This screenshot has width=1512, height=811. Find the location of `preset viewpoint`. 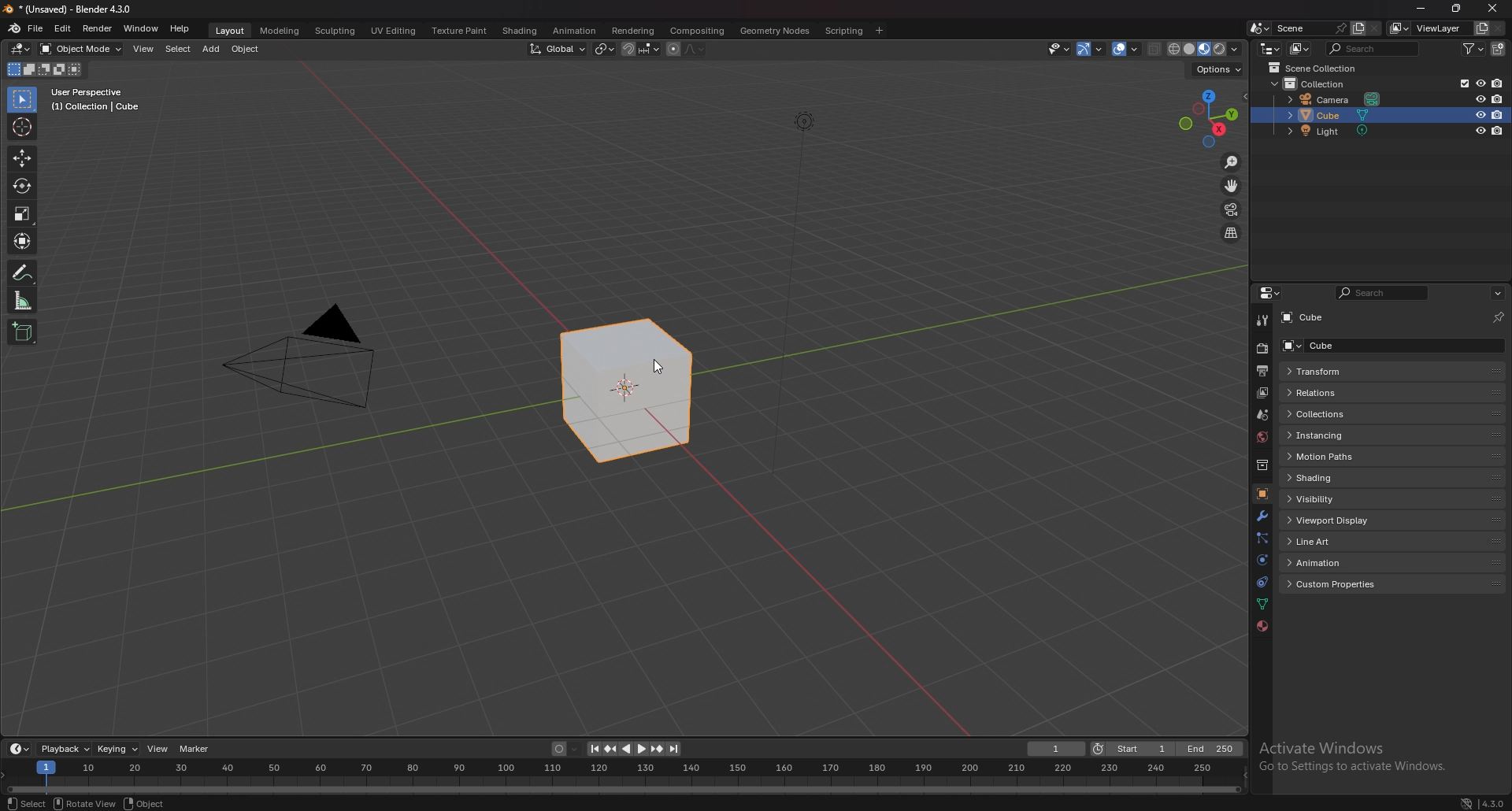

preset viewpoint is located at coordinates (1208, 118).